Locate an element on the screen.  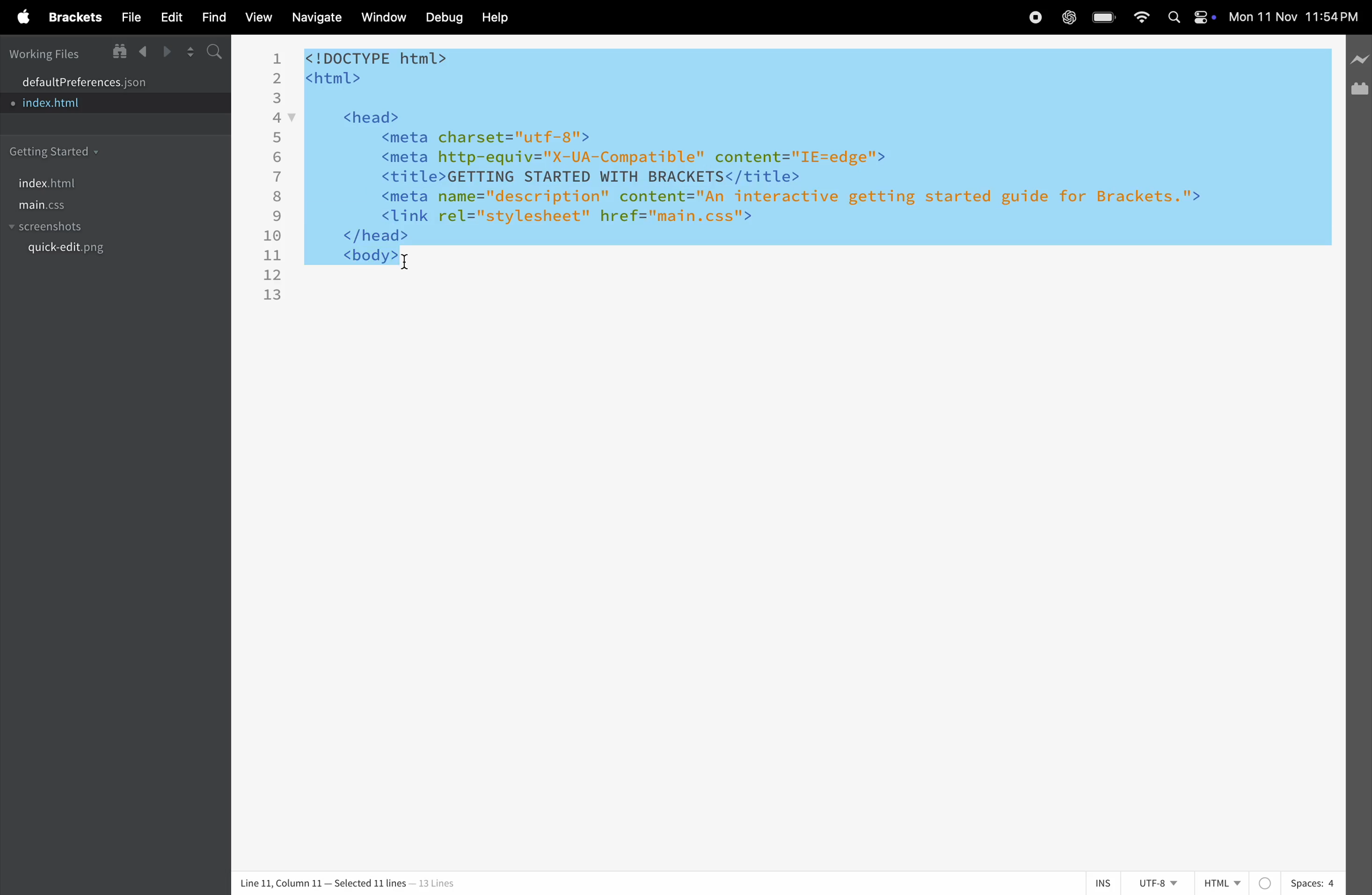
record is located at coordinates (1036, 17).